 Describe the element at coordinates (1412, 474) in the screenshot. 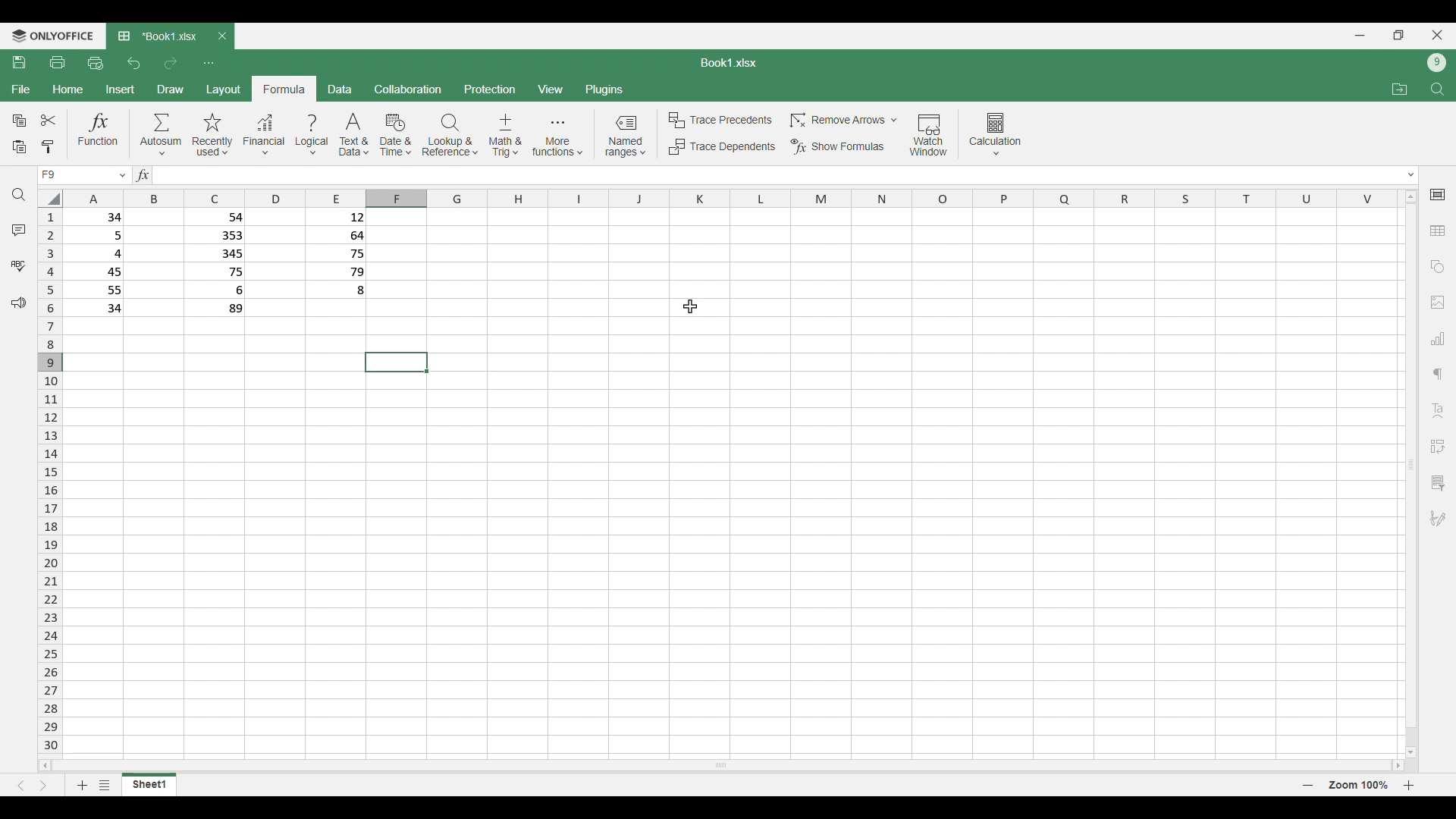

I see `Vertical slide bar` at that location.